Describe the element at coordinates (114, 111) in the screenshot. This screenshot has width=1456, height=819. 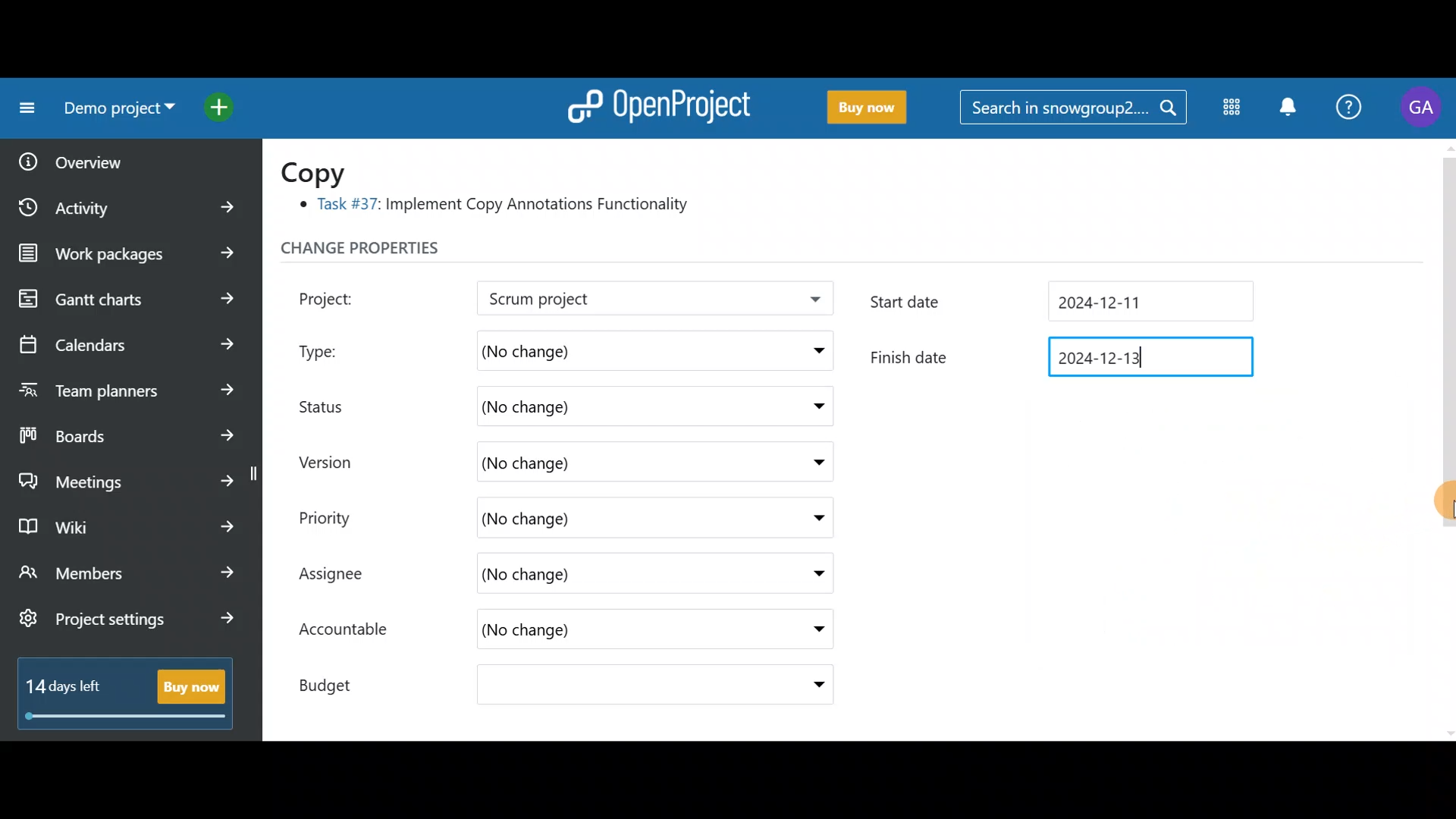
I see `Demo project` at that location.